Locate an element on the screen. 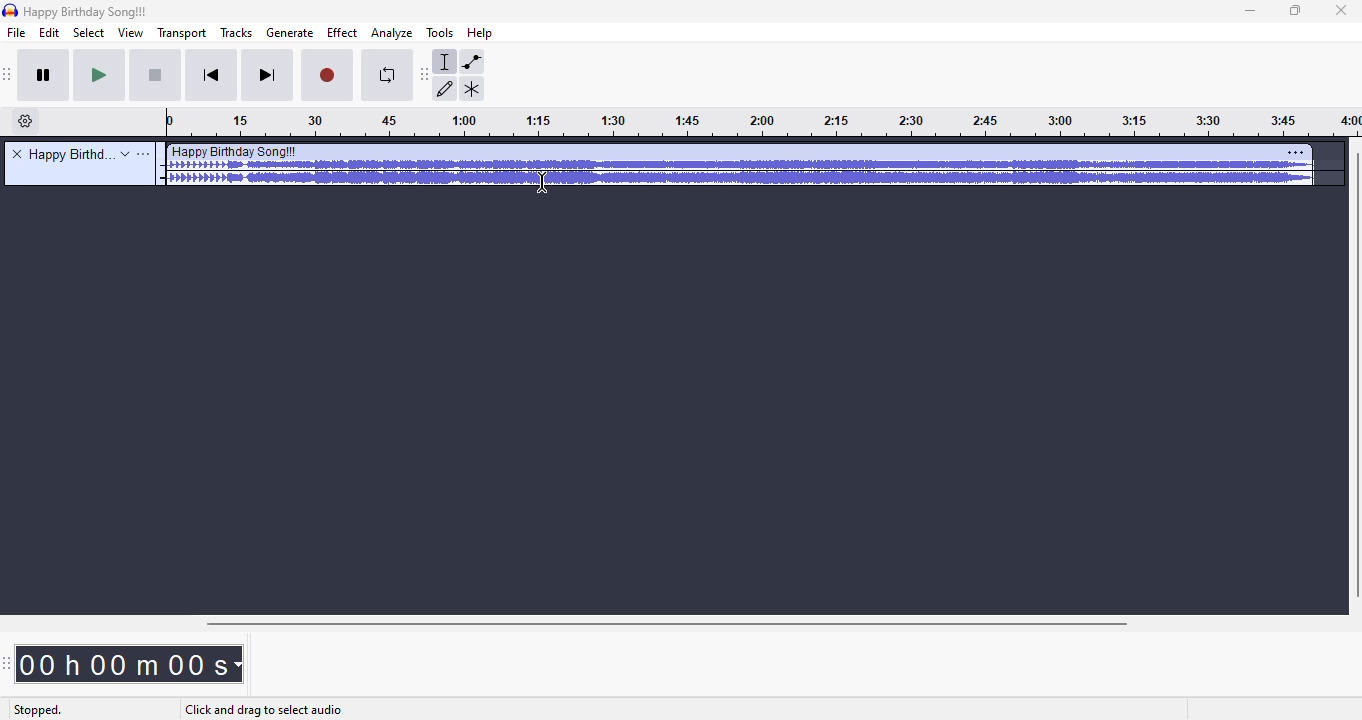 This screenshot has height=720, width=1362. delete track is located at coordinates (17, 153).